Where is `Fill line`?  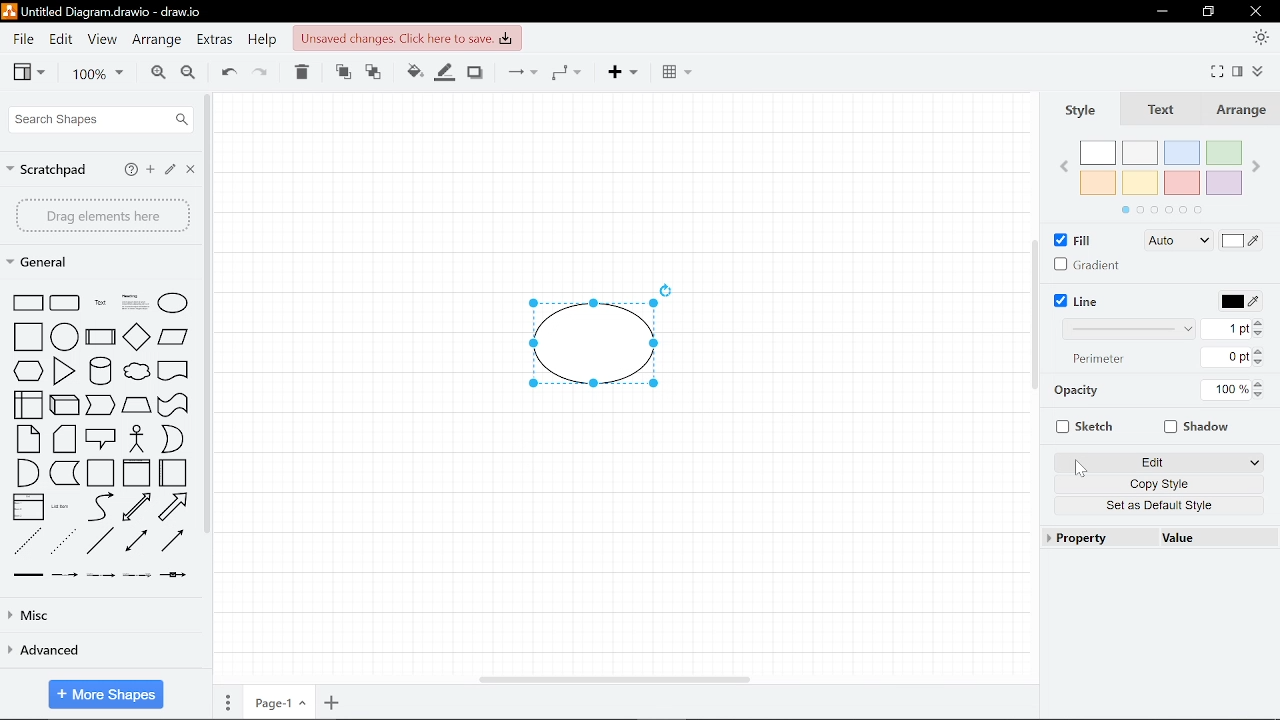
Fill line is located at coordinates (442, 71).